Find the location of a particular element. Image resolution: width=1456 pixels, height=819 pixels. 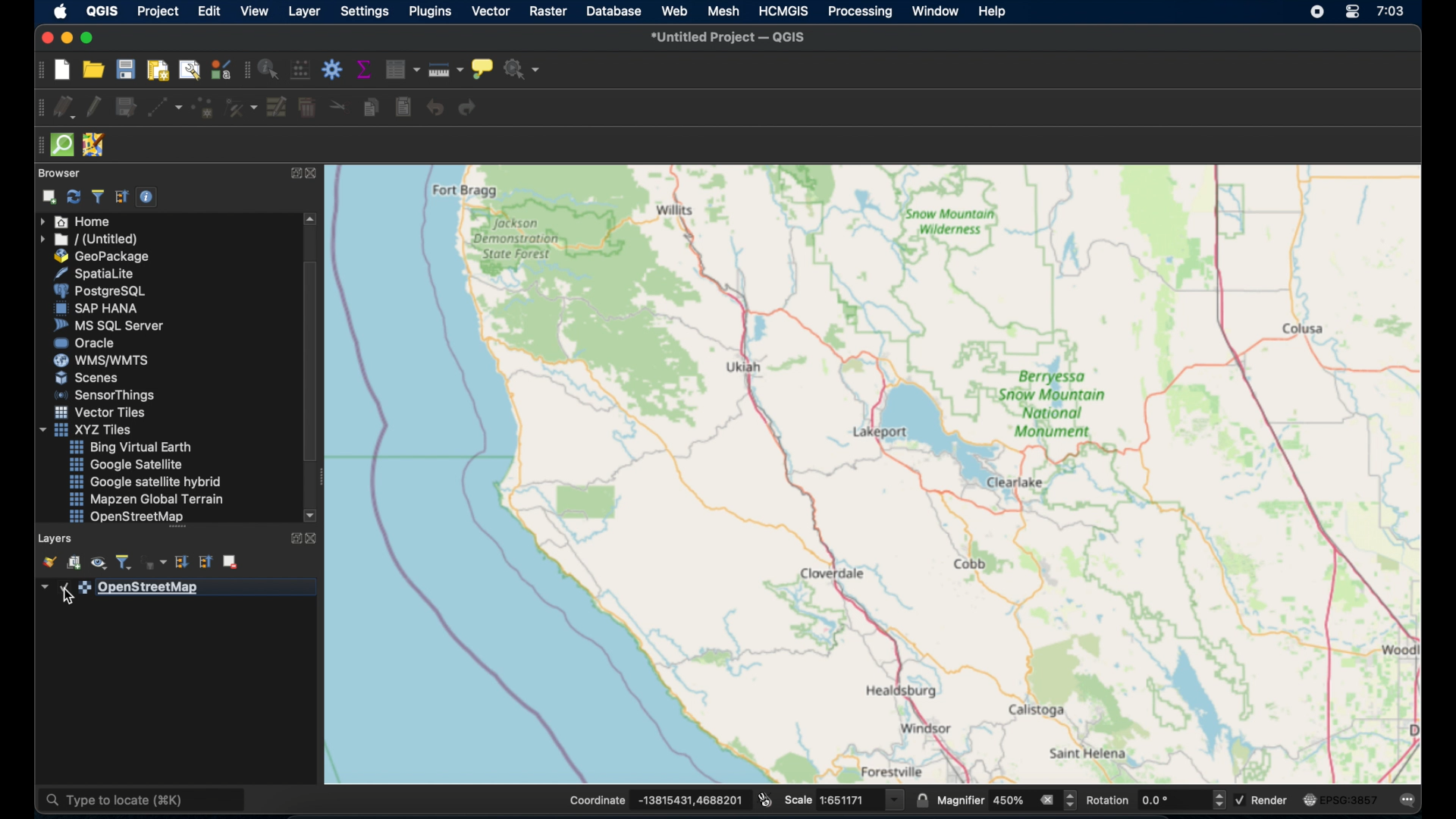

rotation is located at coordinates (1156, 801).